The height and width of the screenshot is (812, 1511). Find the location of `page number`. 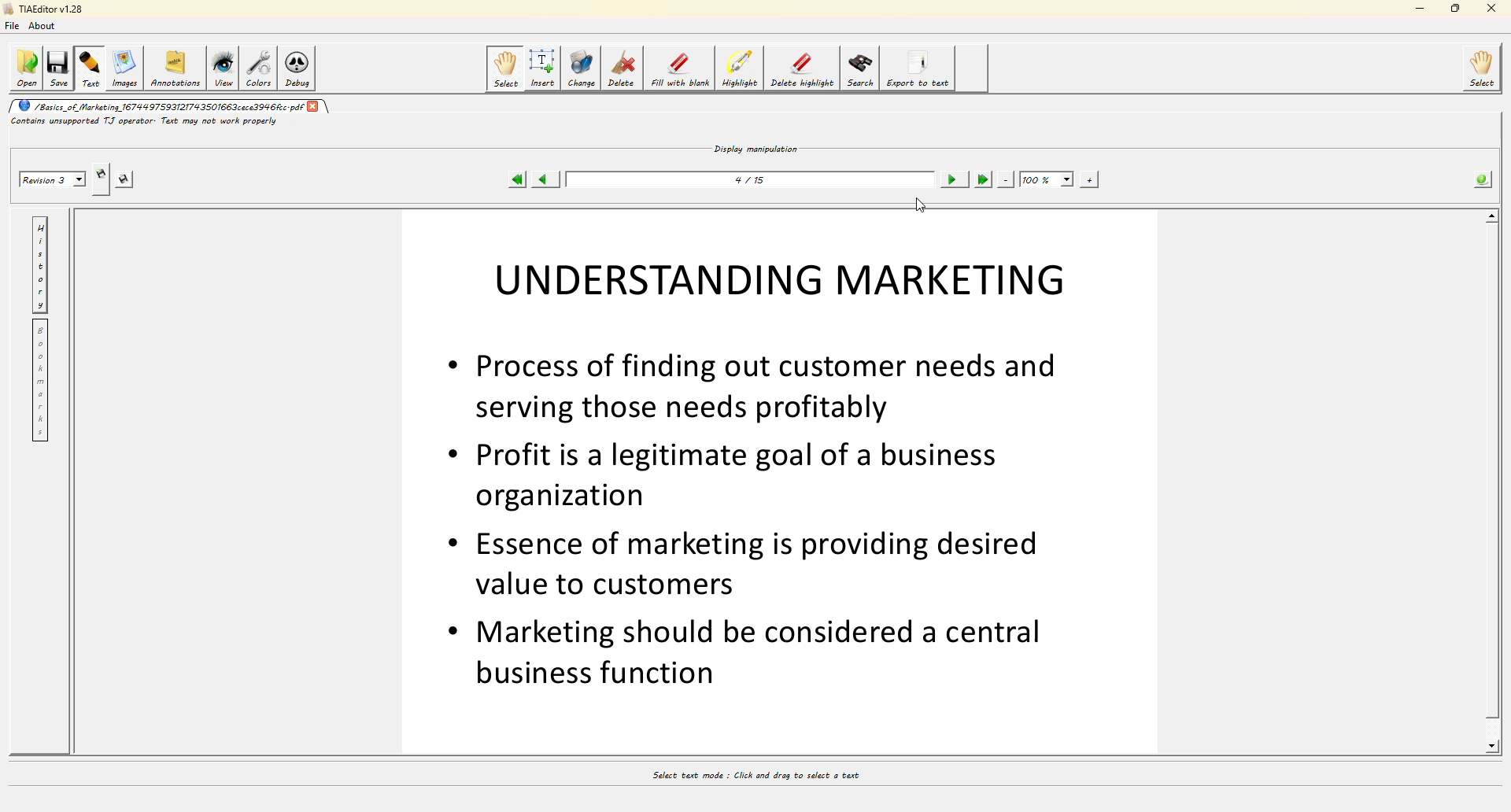

page number is located at coordinates (744, 181).